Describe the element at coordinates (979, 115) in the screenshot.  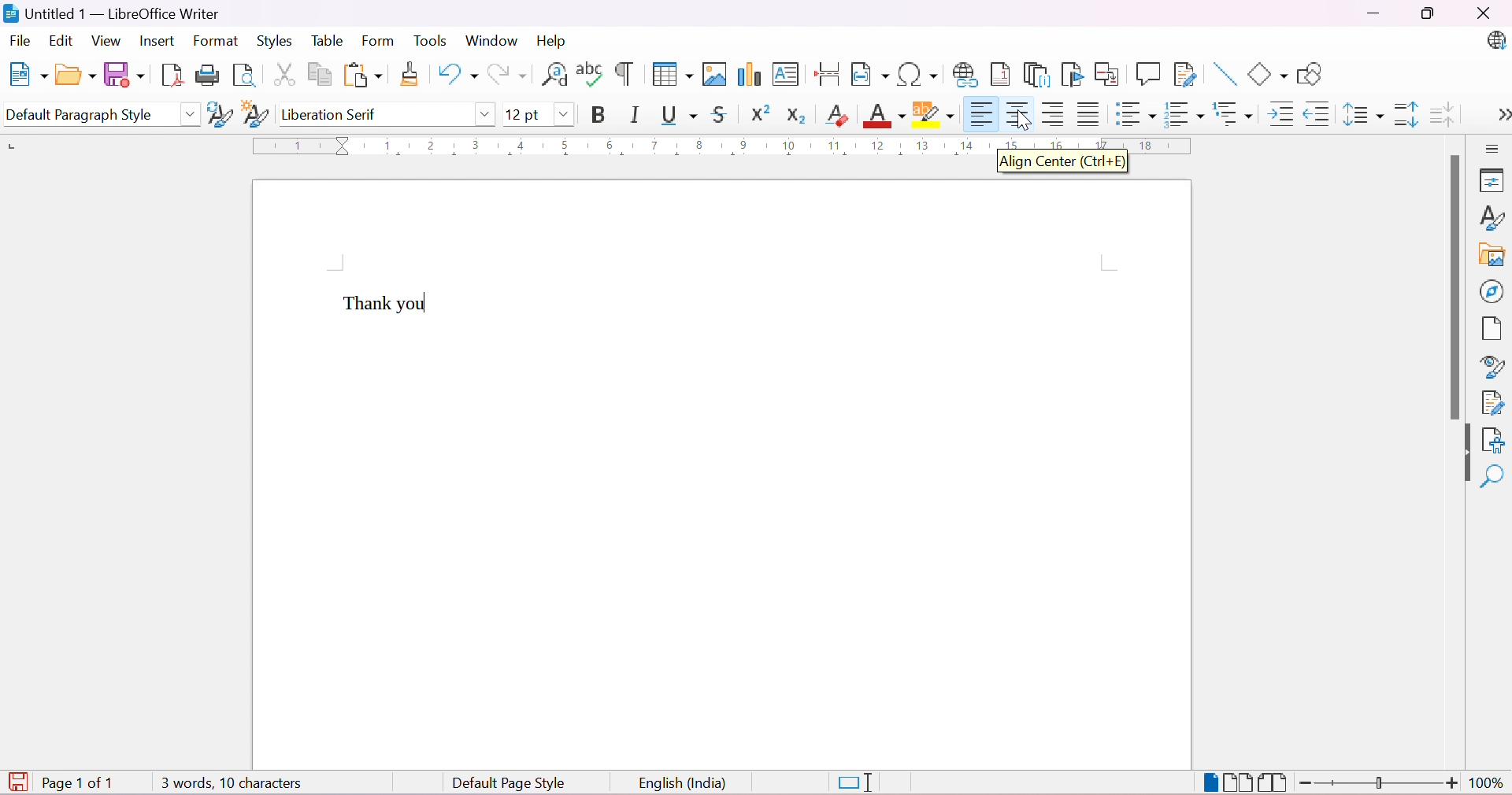
I see `Align Left` at that location.